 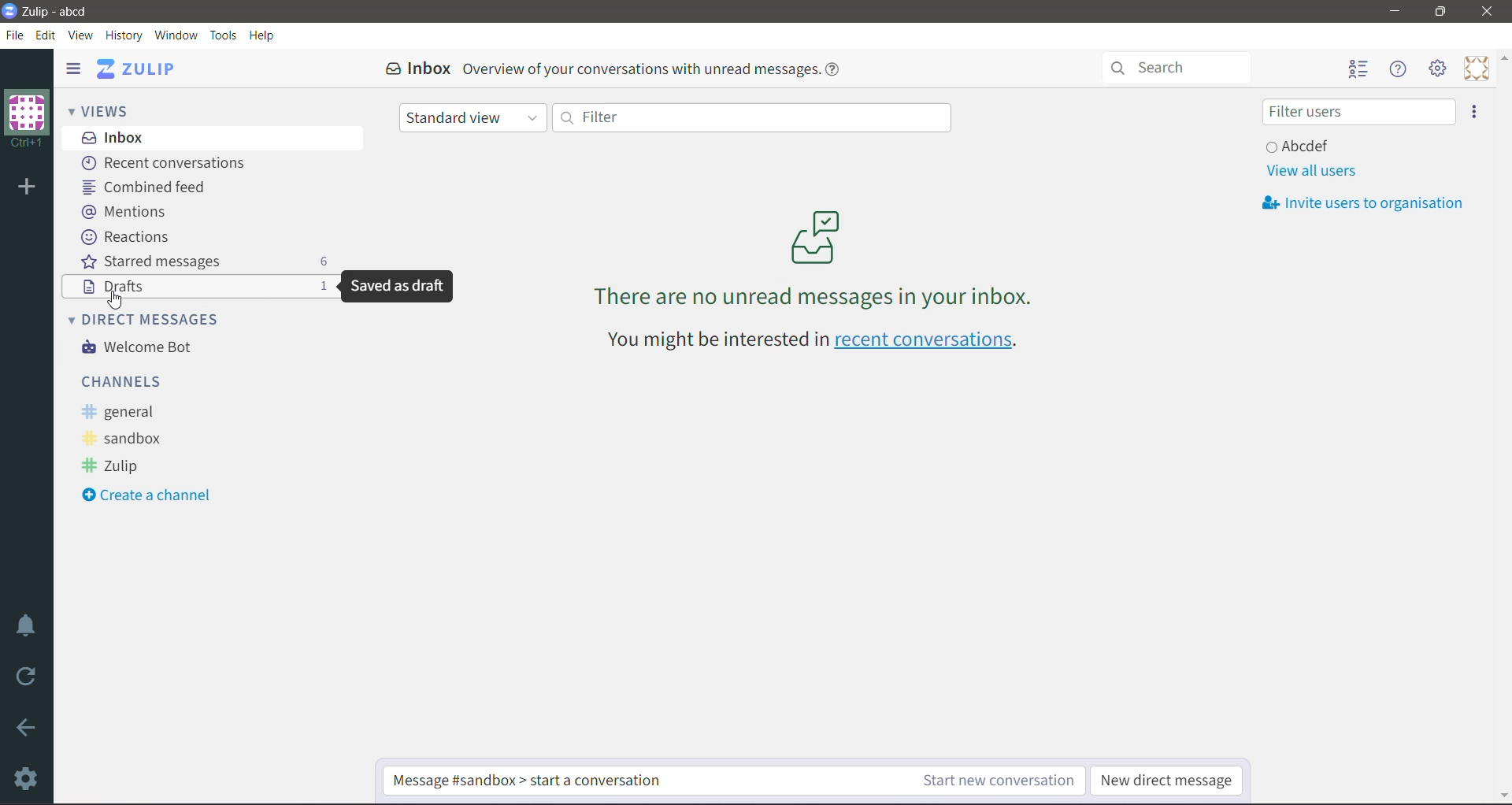 What do you see at coordinates (224, 35) in the screenshot?
I see `Tools` at bounding box center [224, 35].